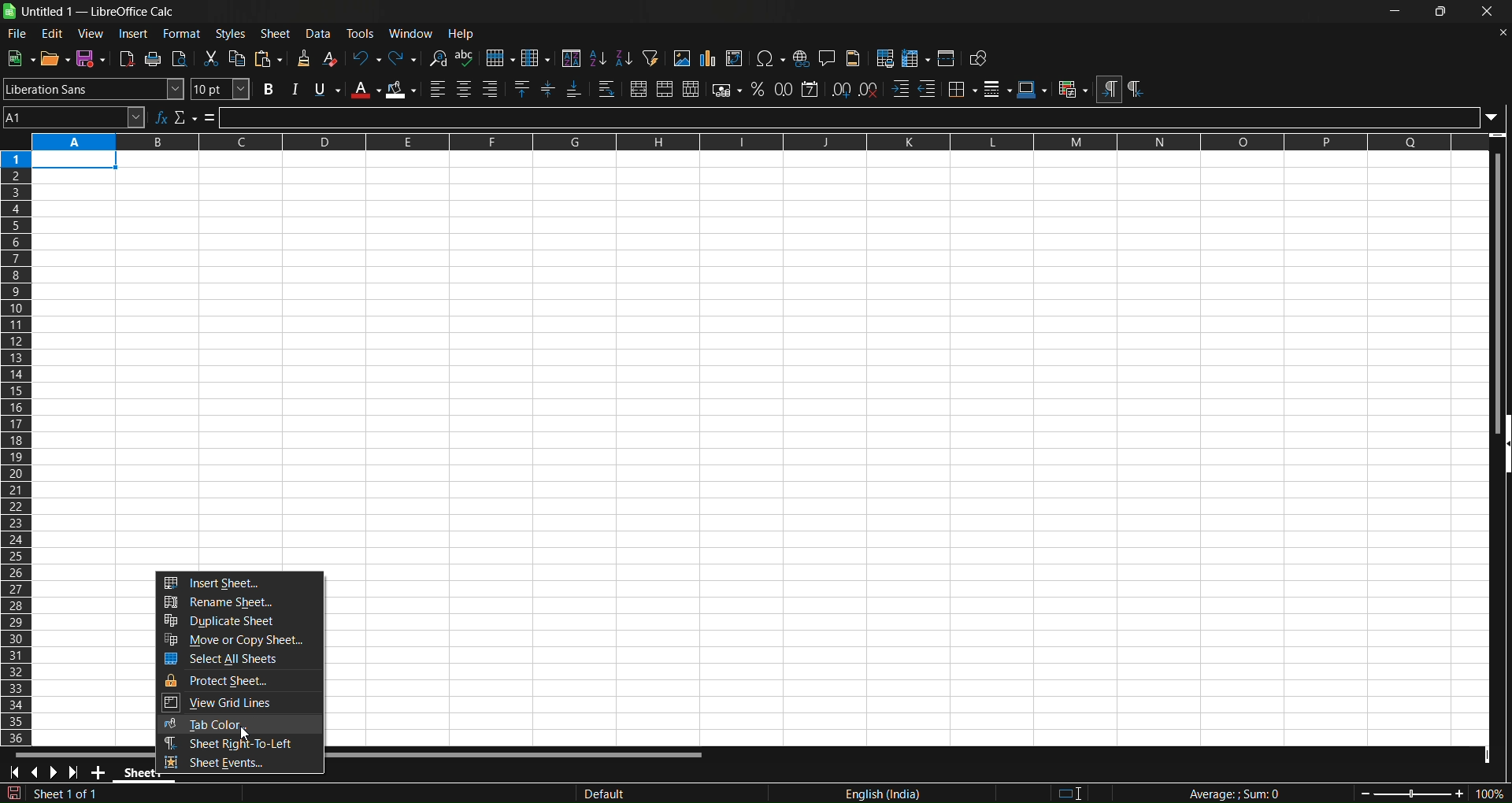  I want to click on redo, so click(404, 57).